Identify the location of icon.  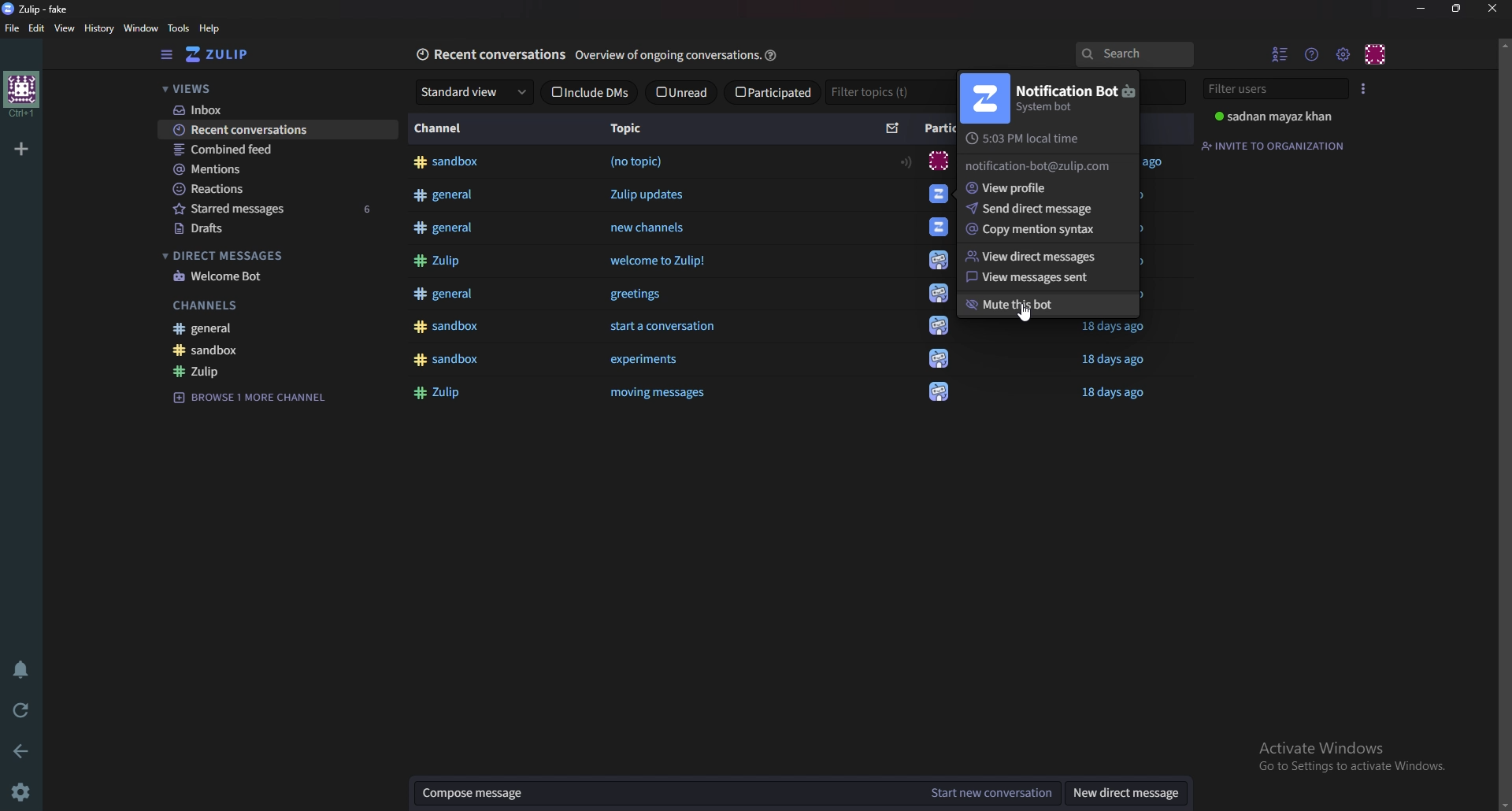
(939, 294).